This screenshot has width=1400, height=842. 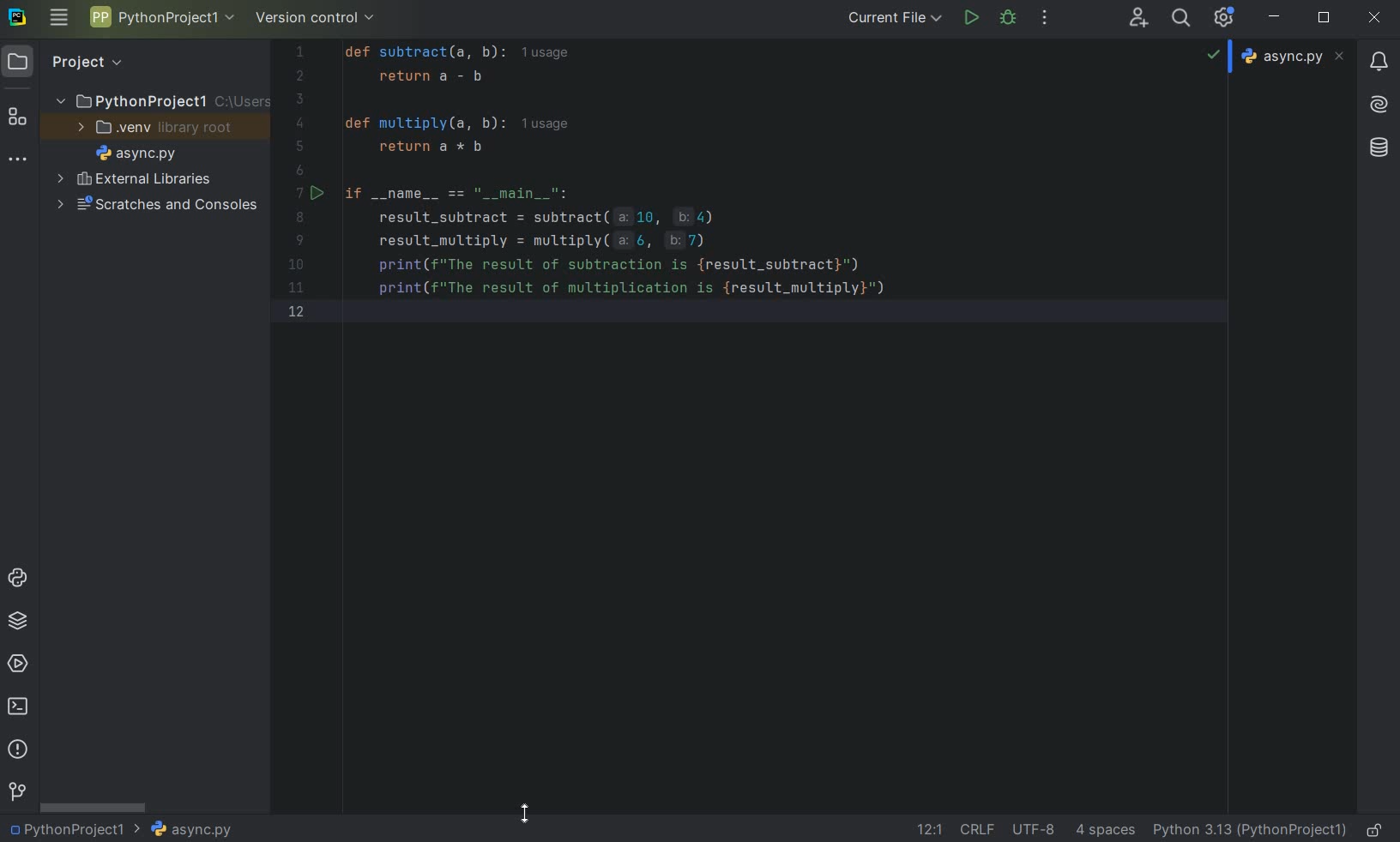 I want to click on project name, so click(x=160, y=16).